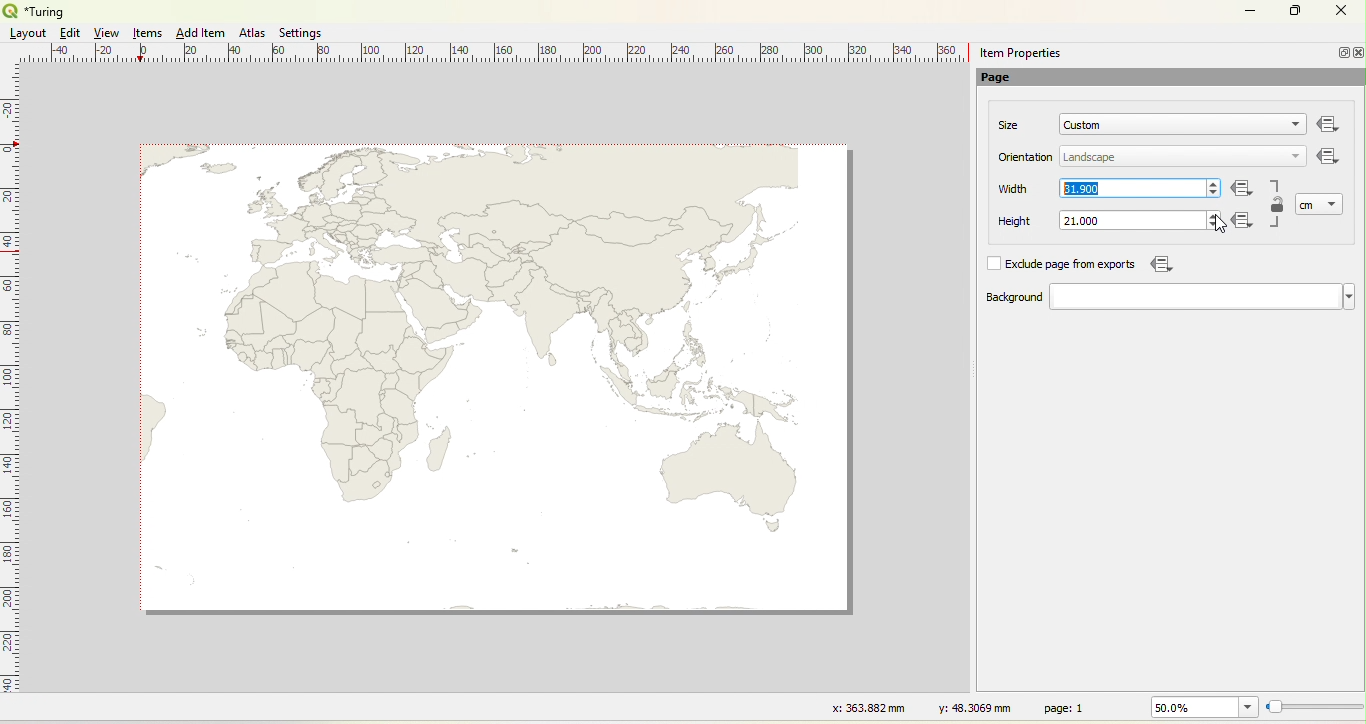 This screenshot has width=1366, height=724. I want to click on Size, so click(1010, 125).